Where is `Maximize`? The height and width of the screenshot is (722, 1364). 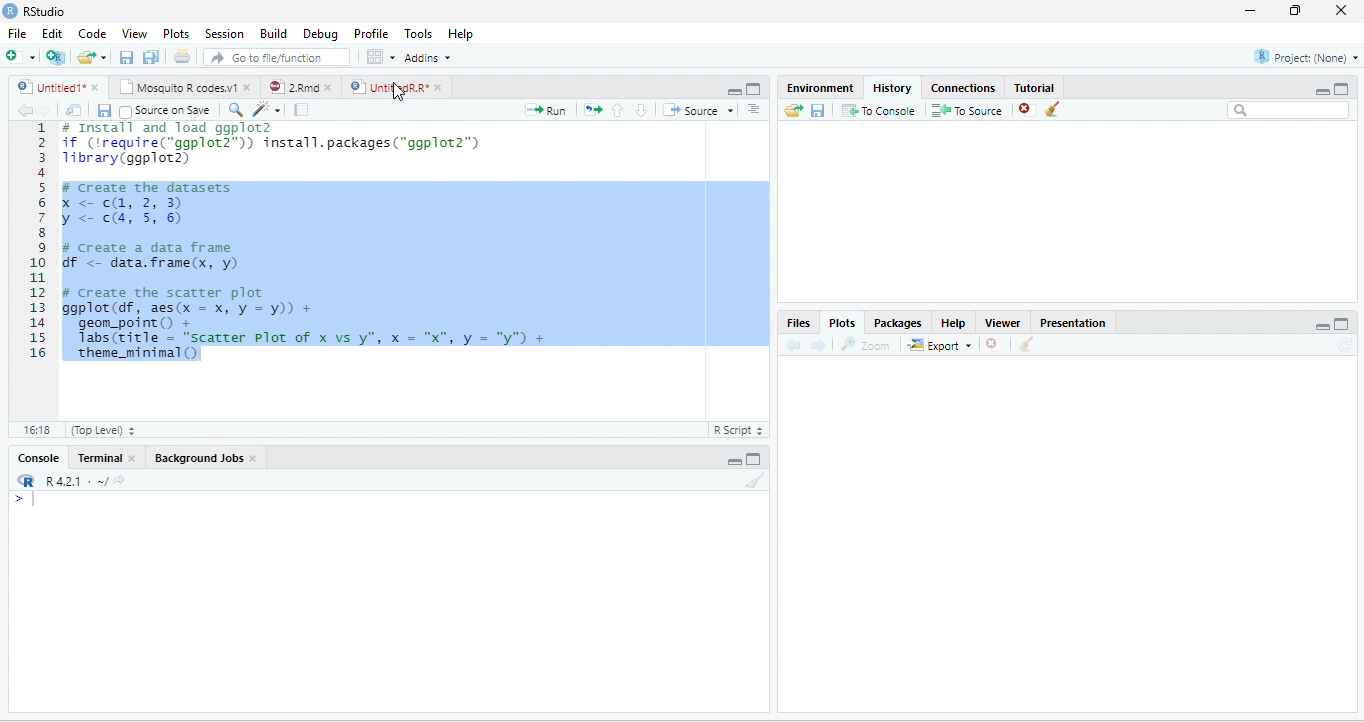 Maximize is located at coordinates (1343, 323).